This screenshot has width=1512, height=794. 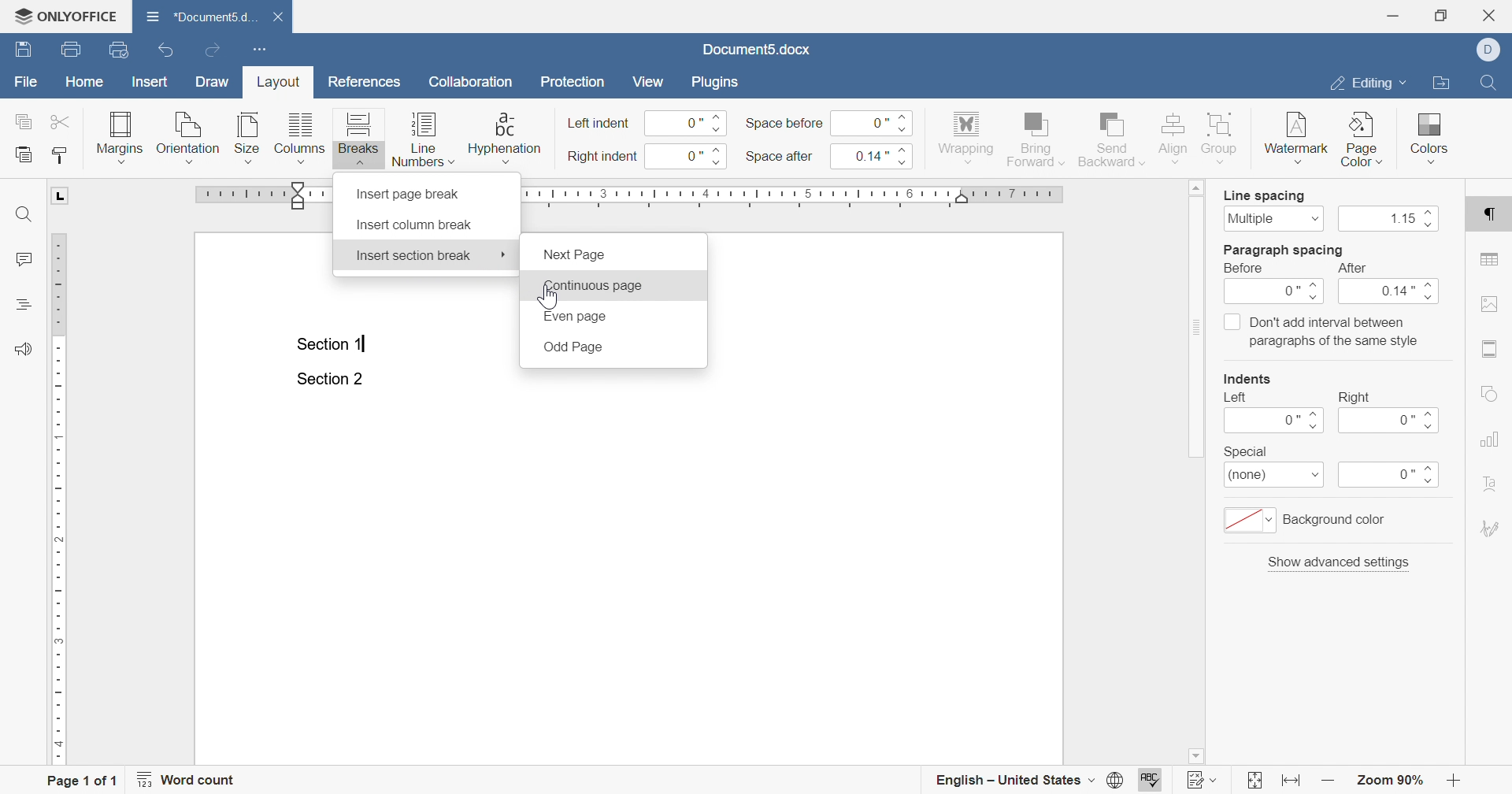 I want to click on Section 2, so click(x=329, y=380).